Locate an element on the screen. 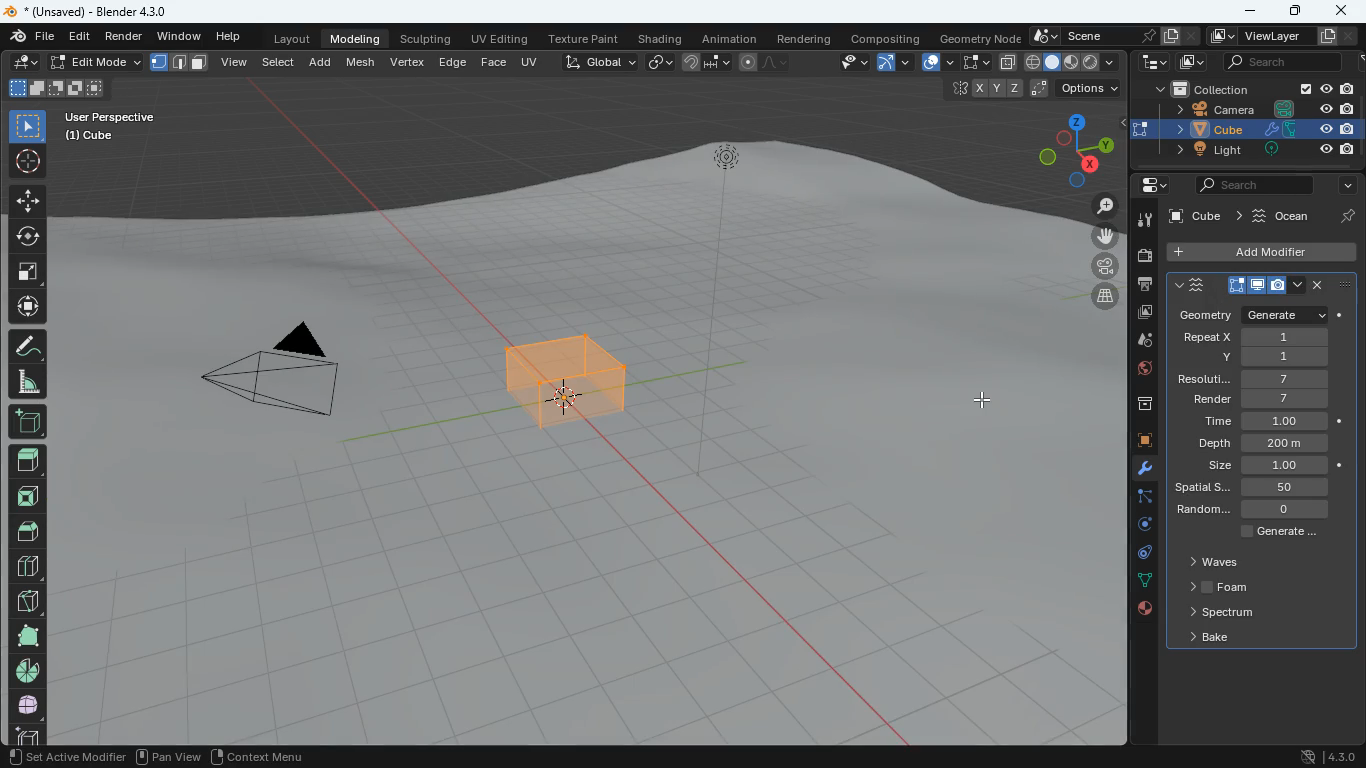 The height and width of the screenshot is (768, 1366). compositing is located at coordinates (887, 36).